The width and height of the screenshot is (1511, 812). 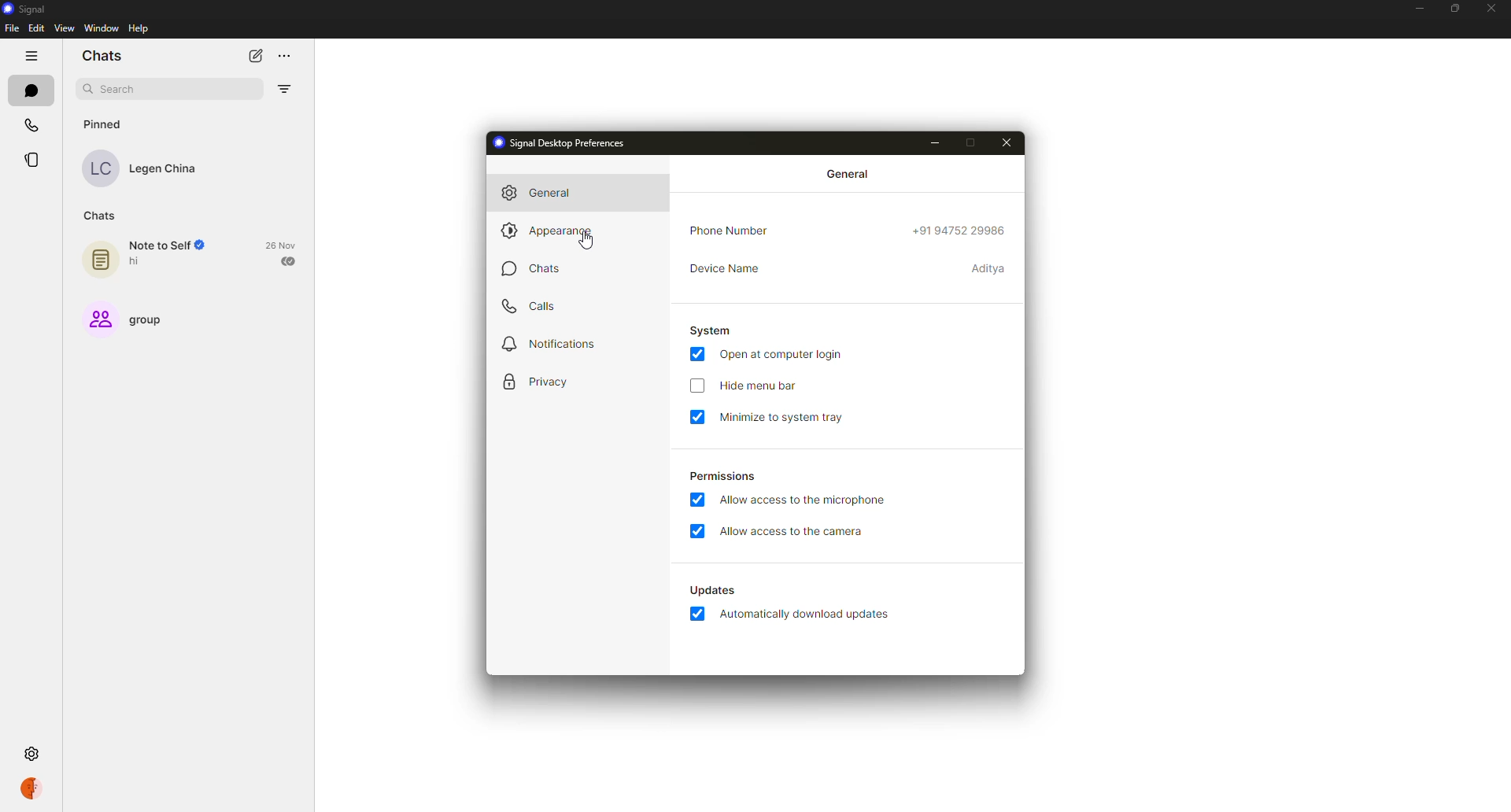 I want to click on system, so click(x=713, y=330).